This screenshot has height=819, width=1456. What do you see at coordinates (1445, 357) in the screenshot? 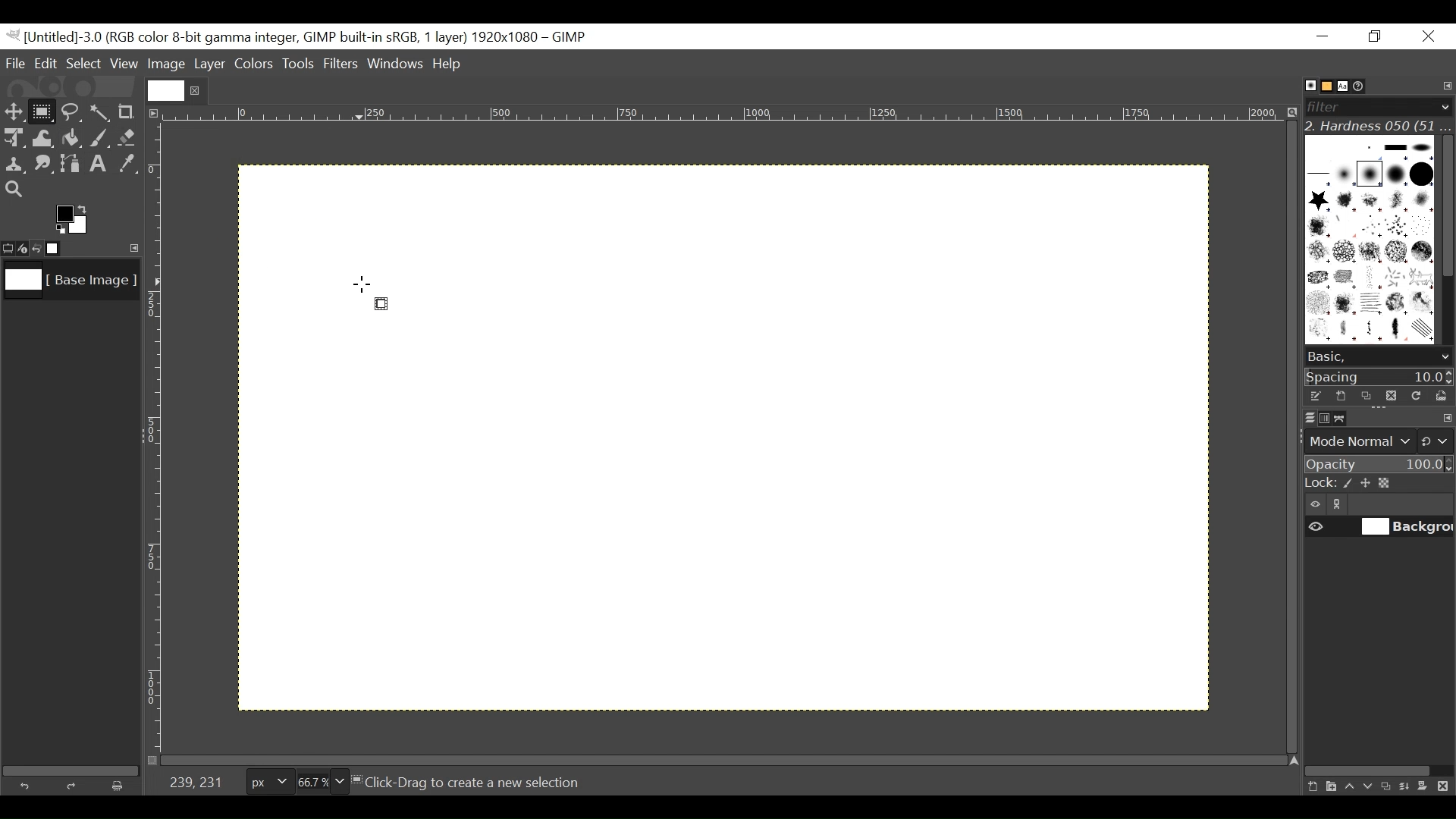
I see `scroll down` at bounding box center [1445, 357].